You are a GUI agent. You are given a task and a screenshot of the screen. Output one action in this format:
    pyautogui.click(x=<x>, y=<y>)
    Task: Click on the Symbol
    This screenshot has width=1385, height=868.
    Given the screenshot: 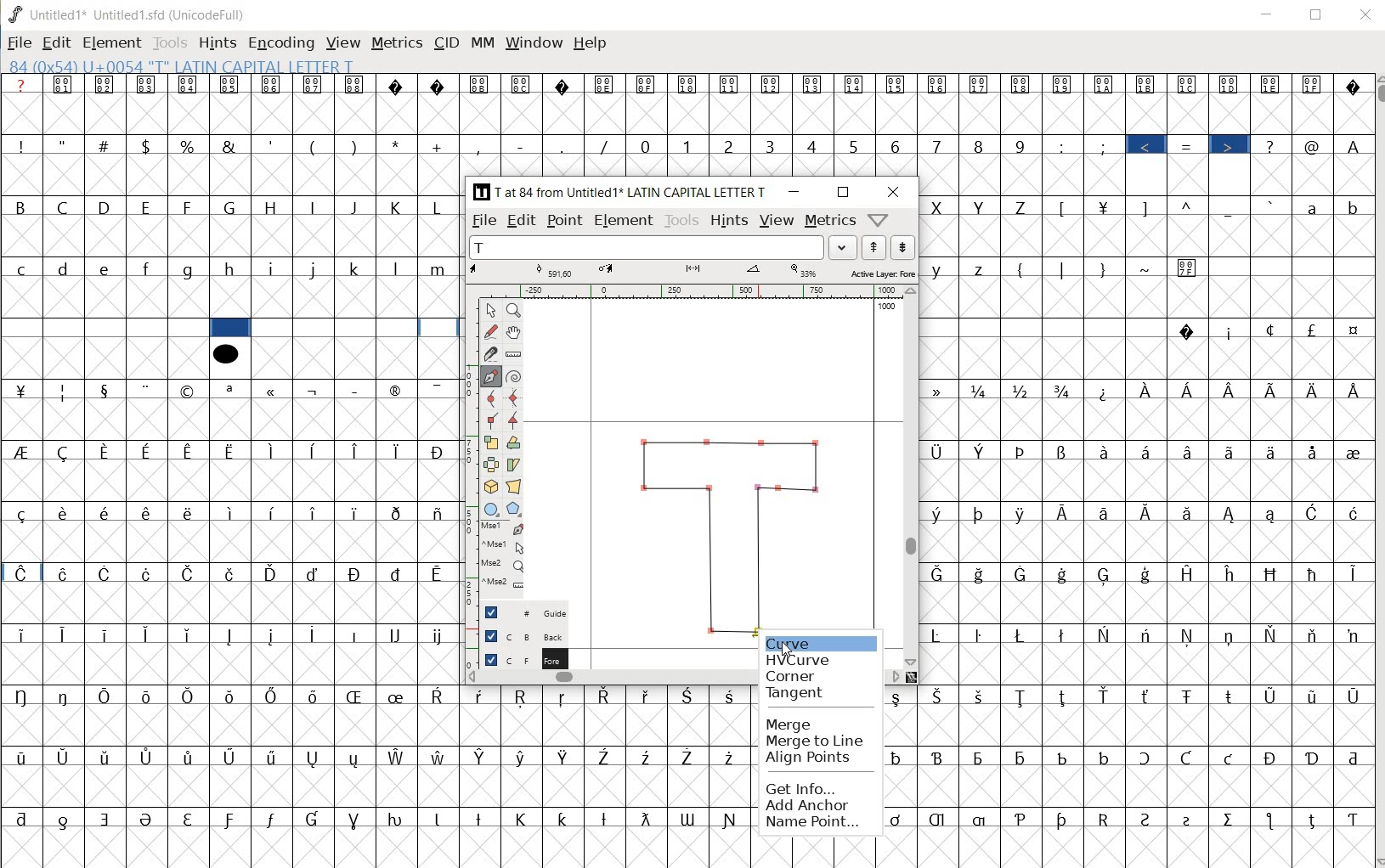 What is the action you would take?
    pyautogui.click(x=22, y=636)
    